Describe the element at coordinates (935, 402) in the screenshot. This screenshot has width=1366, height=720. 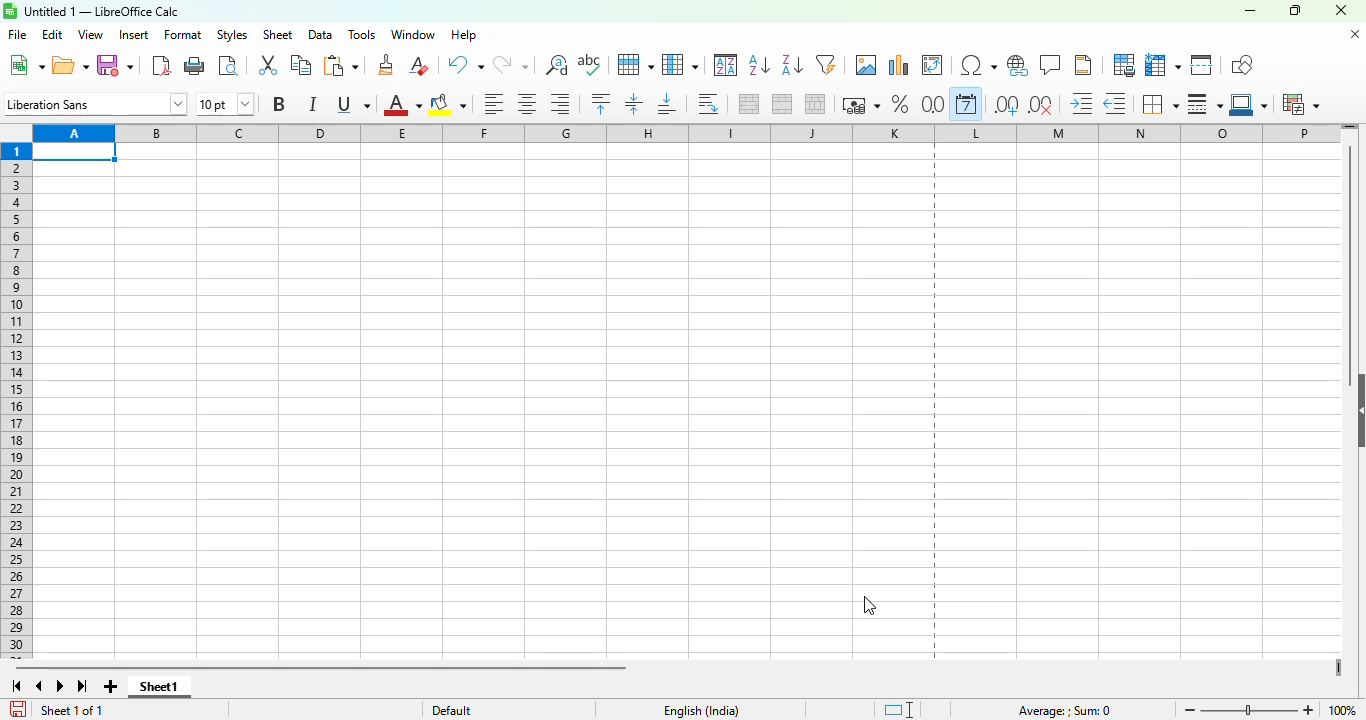
I see `landscape orientation` at that location.